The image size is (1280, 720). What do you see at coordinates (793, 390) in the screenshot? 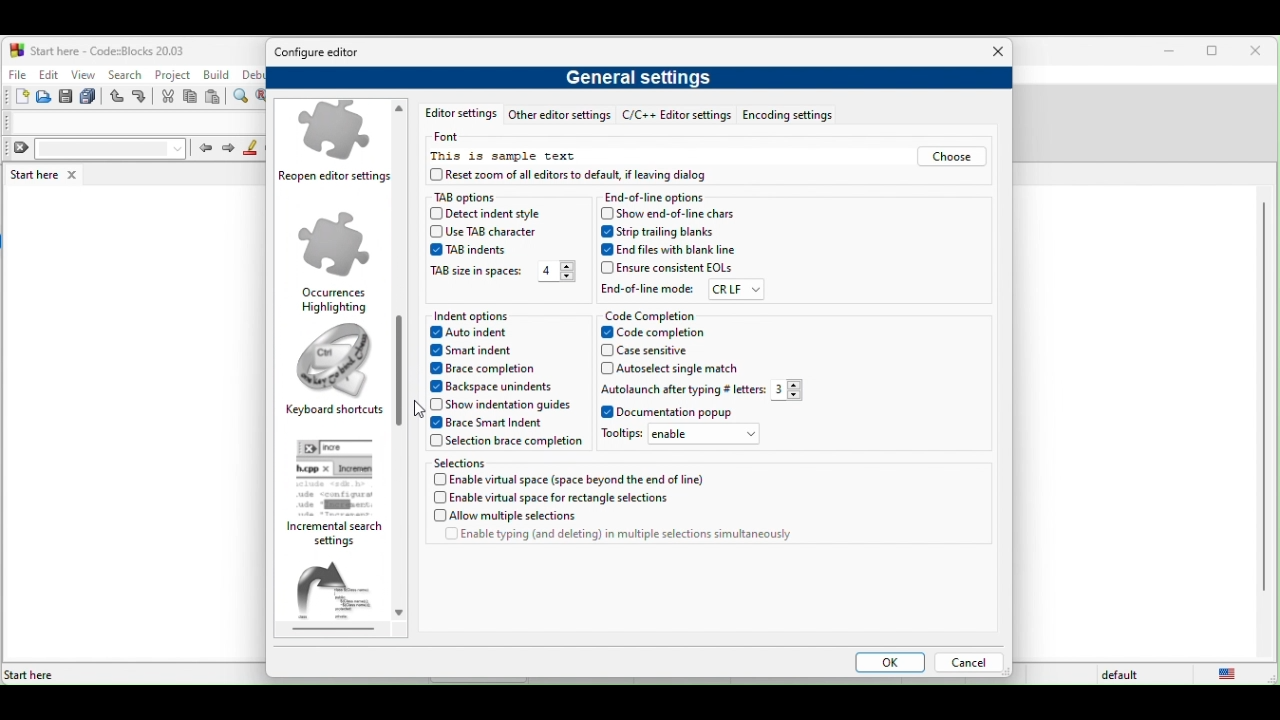
I see `3` at bounding box center [793, 390].